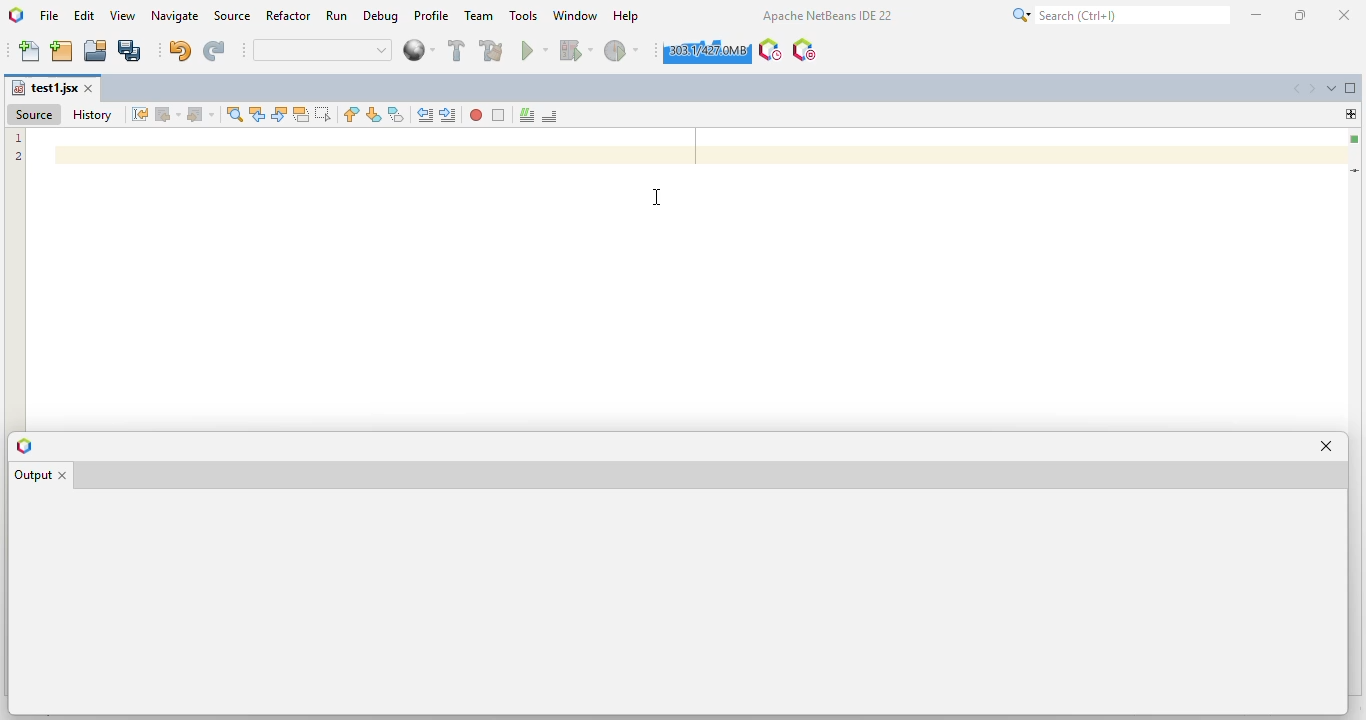 The image size is (1366, 720). What do you see at coordinates (1121, 15) in the screenshot?
I see `search` at bounding box center [1121, 15].